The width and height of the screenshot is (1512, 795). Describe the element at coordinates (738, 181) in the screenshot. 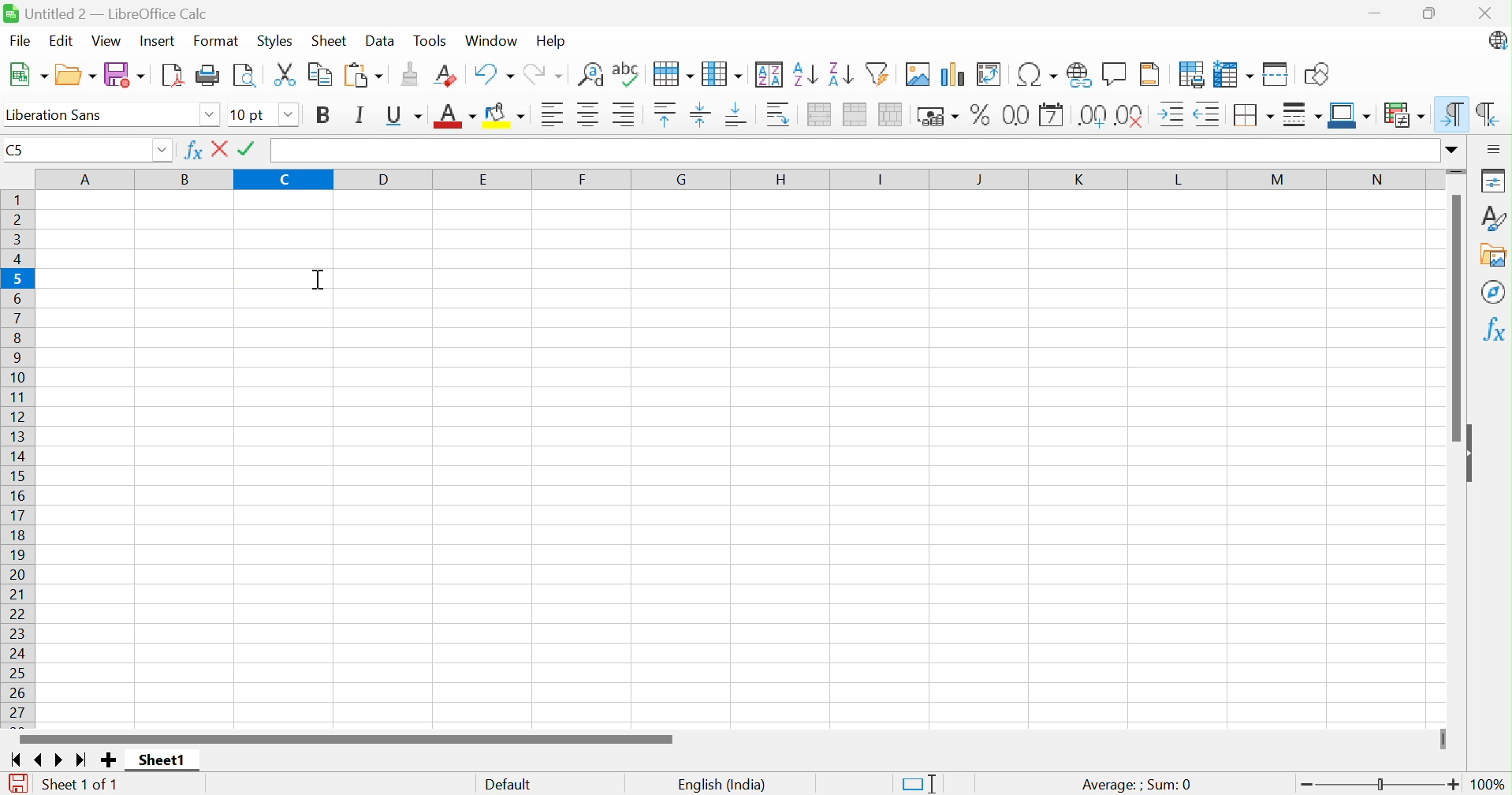

I see `Columns names` at that location.